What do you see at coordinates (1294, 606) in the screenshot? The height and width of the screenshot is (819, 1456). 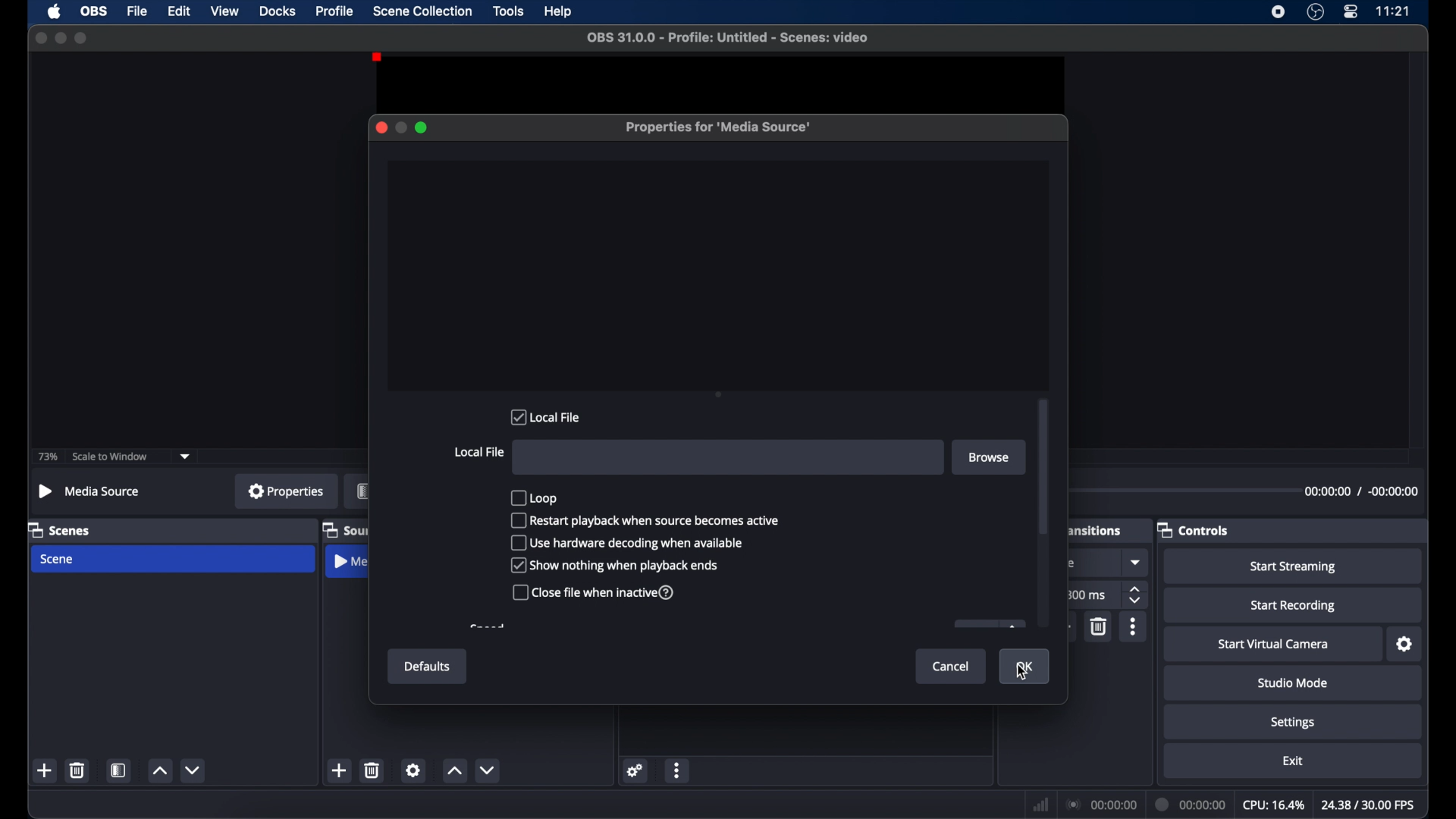 I see `start recording` at bounding box center [1294, 606].